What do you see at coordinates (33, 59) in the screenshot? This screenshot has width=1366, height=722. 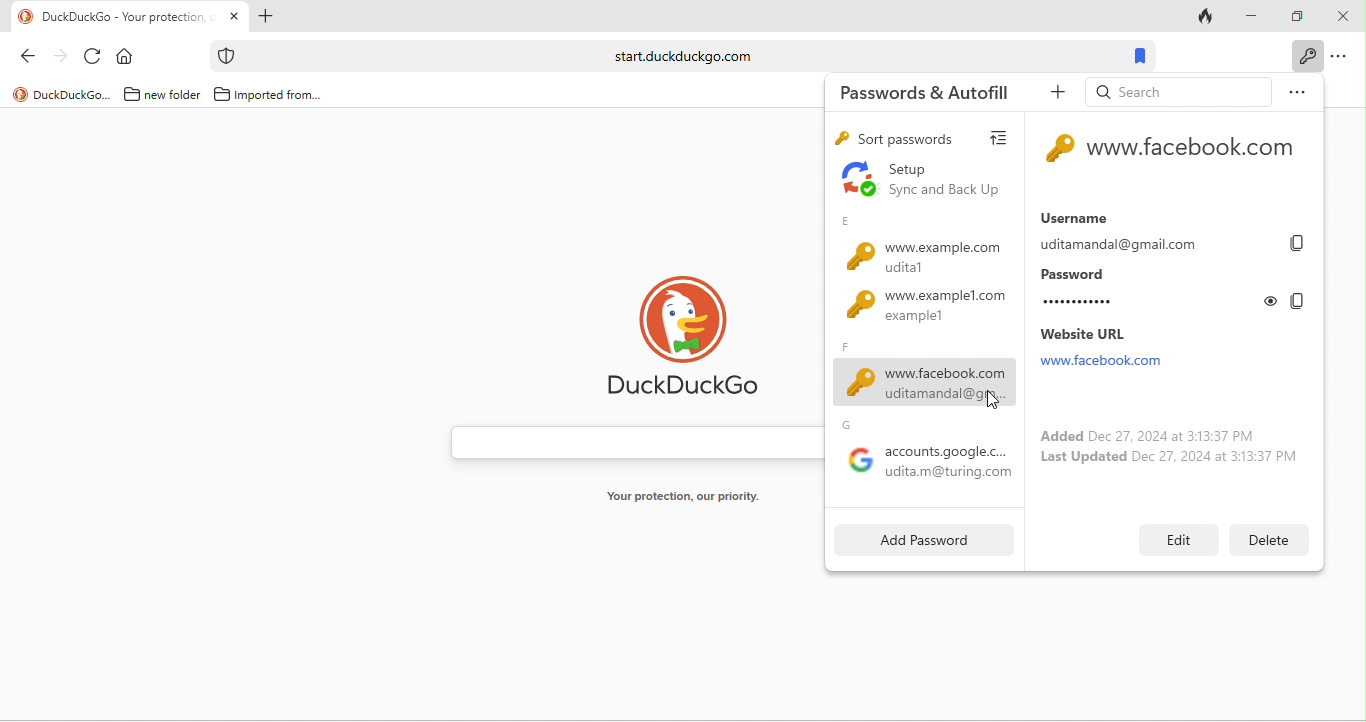 I see `back` at bounding box center [33, 59].